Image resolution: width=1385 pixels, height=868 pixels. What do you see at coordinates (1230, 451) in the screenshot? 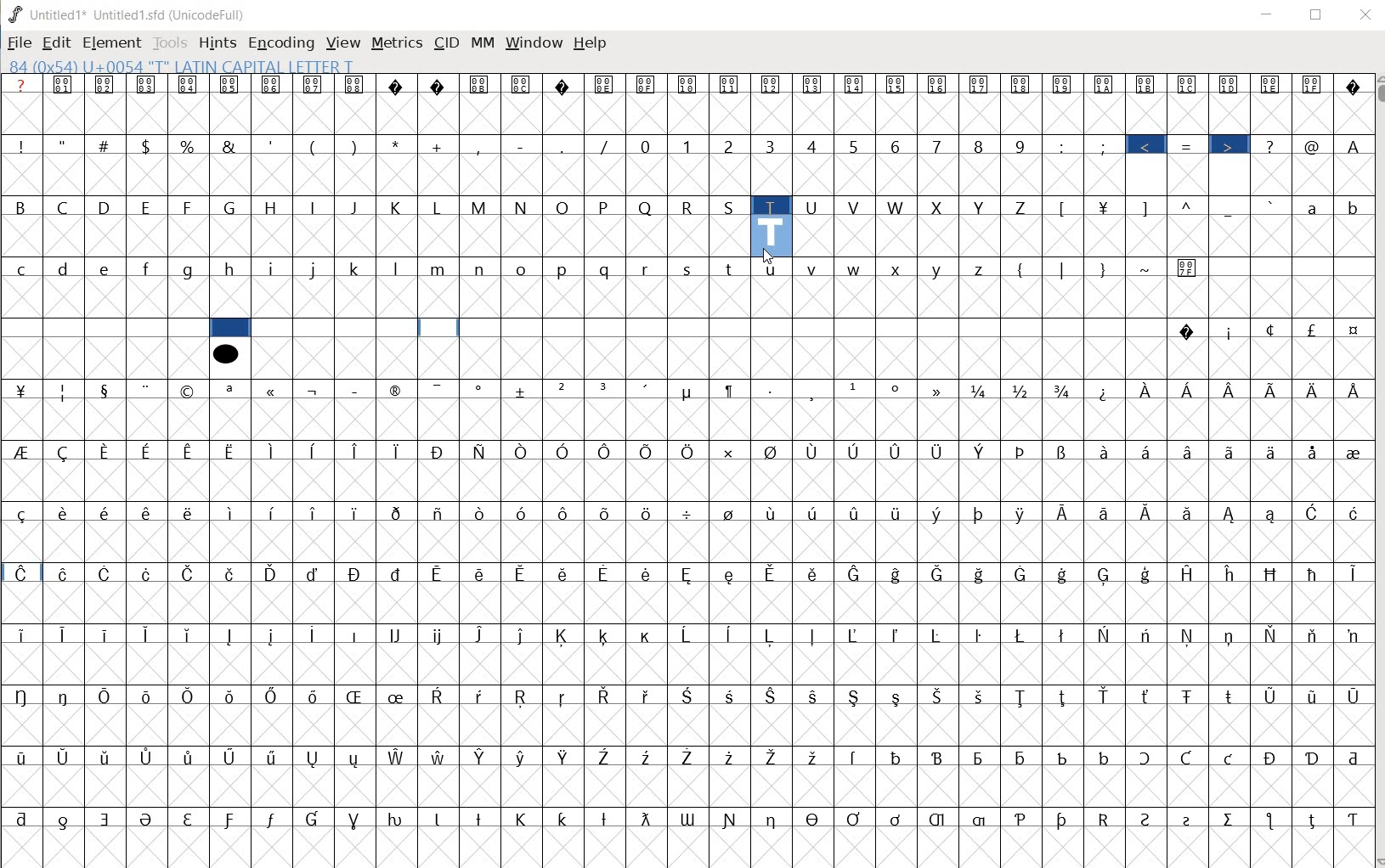
I see `Symbol` at bounding box center [1230, 451].